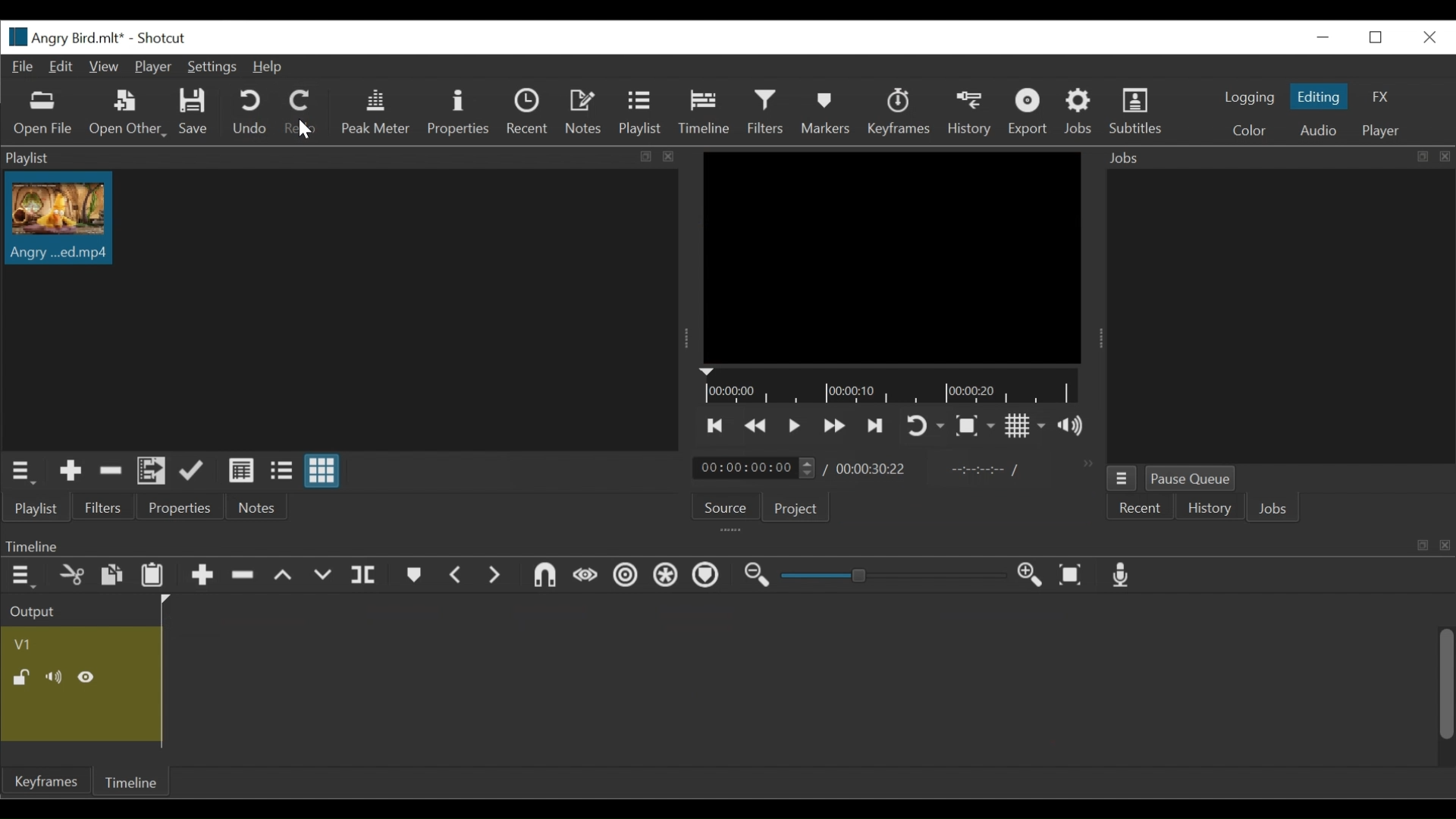  I want to click on Recent, so click(529, 111).